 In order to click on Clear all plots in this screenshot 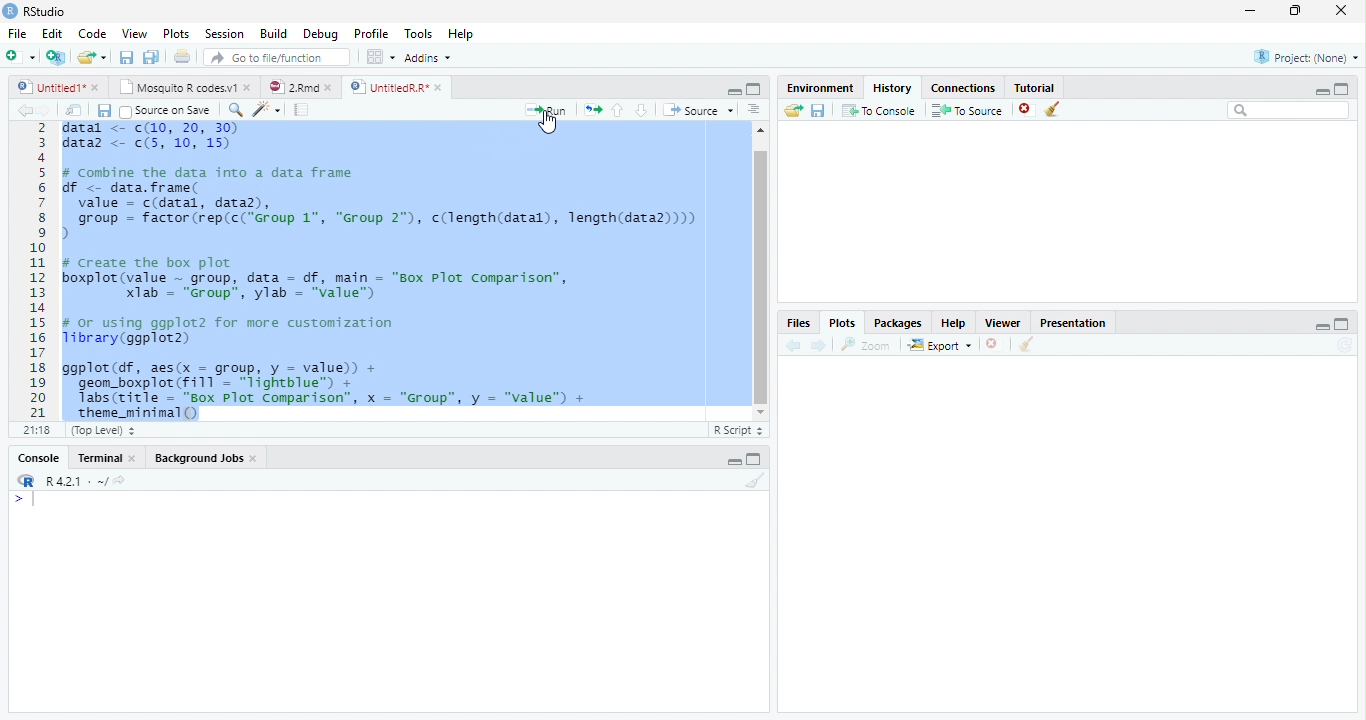, I will do `click(1027, 344)`.